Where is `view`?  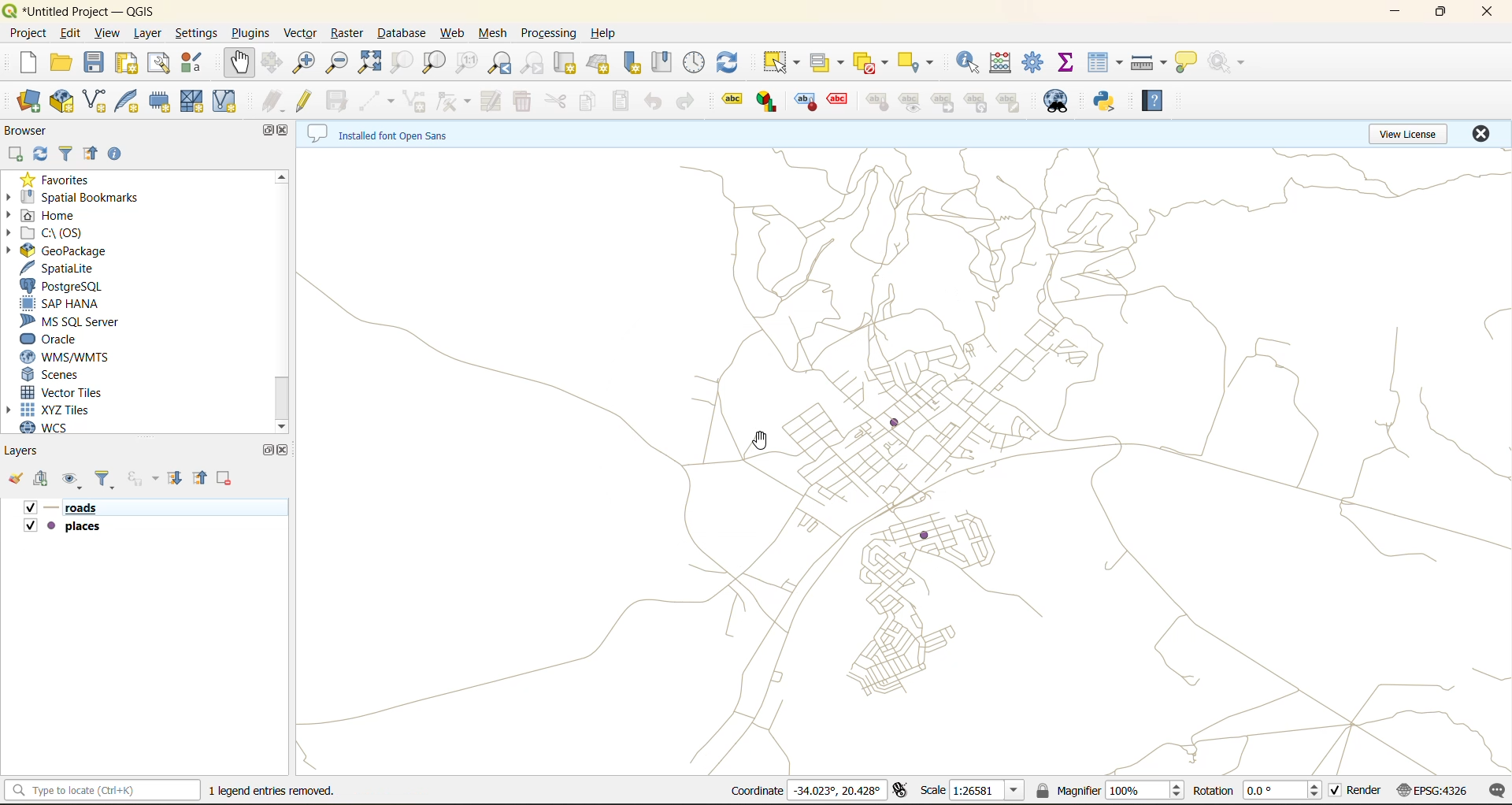 view is located at coordinates (105, 32).